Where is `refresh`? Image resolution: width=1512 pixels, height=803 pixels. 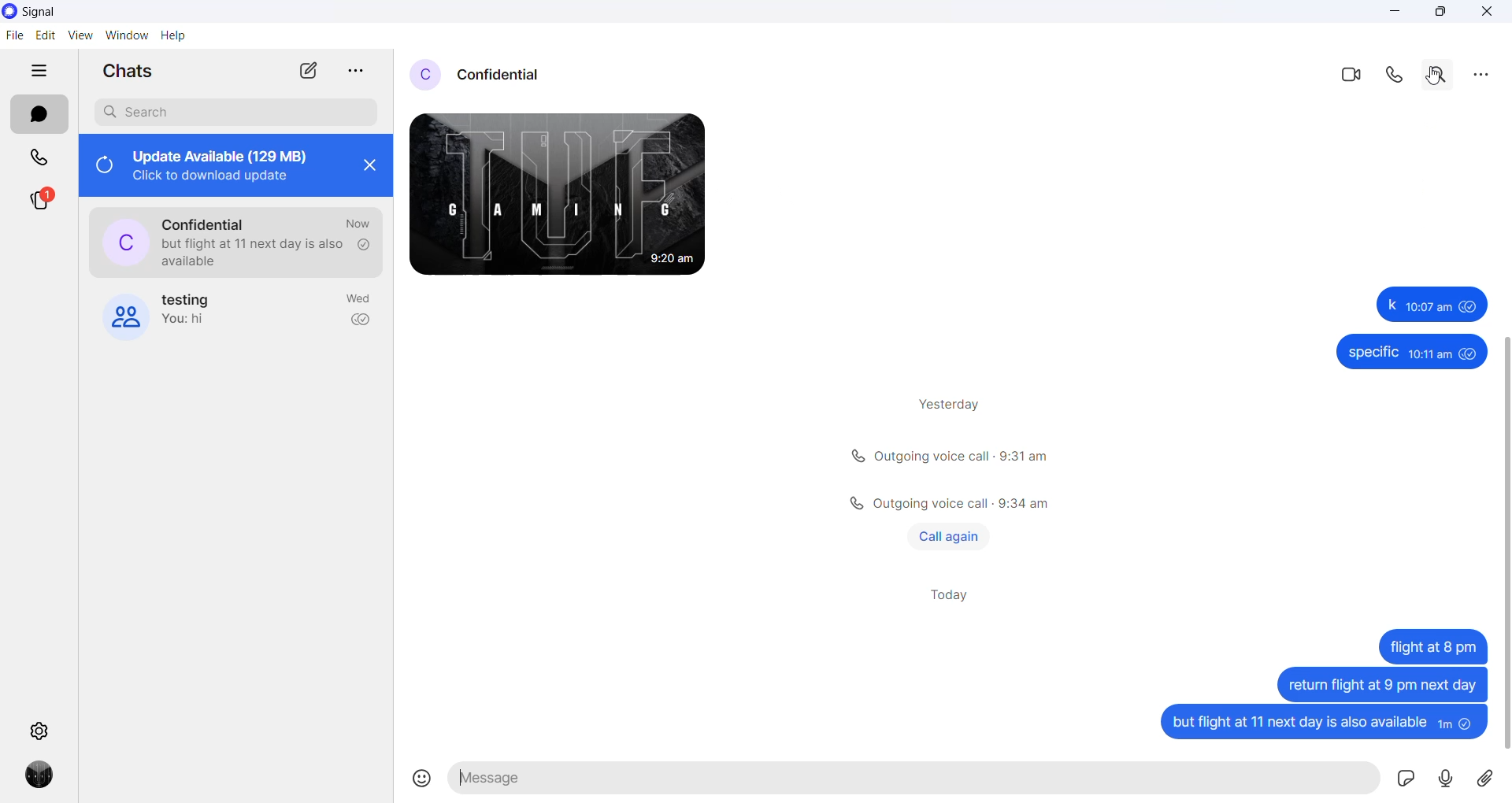 refresh is located at coordinates (102, 167).